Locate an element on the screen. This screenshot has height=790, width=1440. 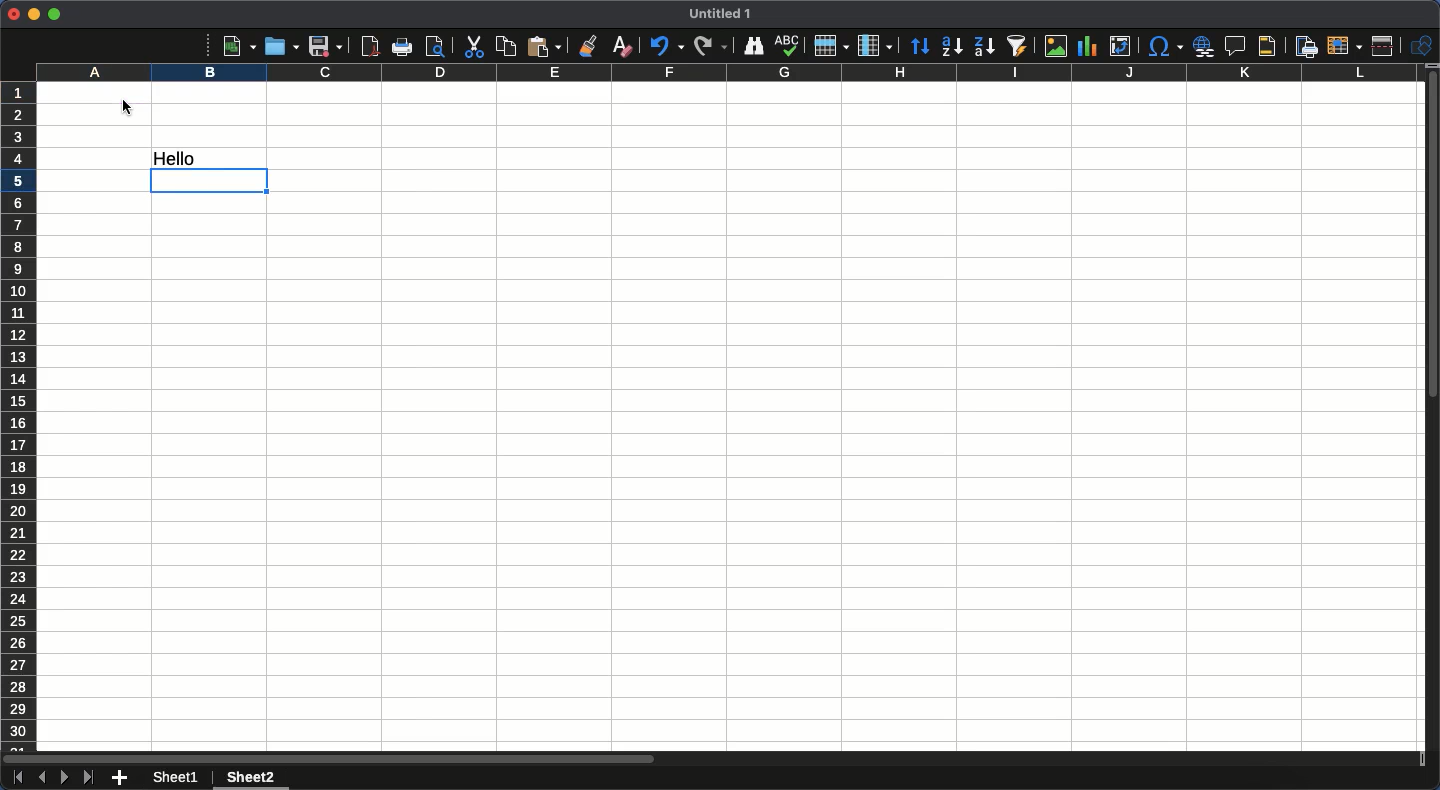
Undo is located at coordinates (665, 45).